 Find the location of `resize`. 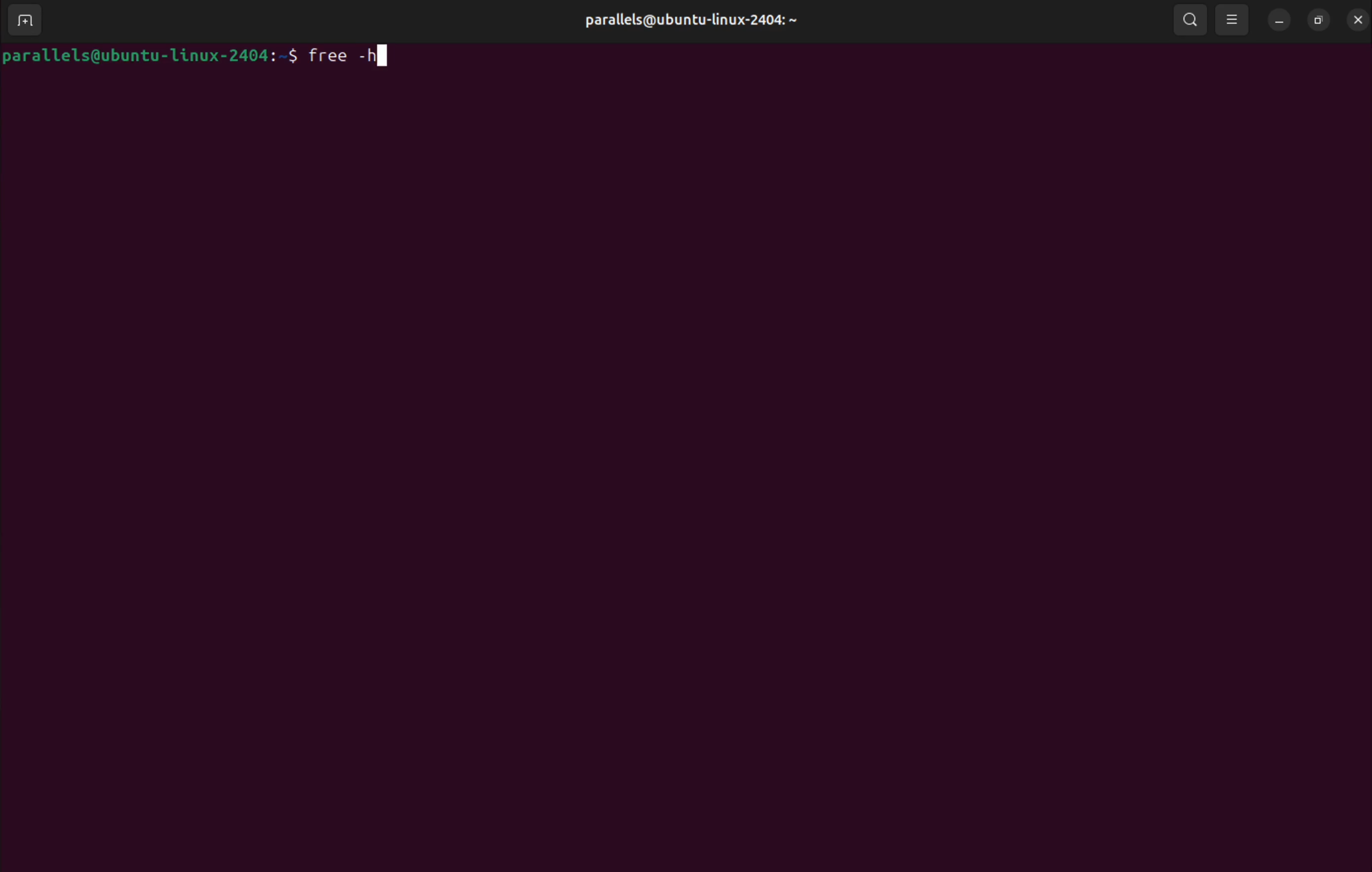

resize is located at coordinates (1316, 20).